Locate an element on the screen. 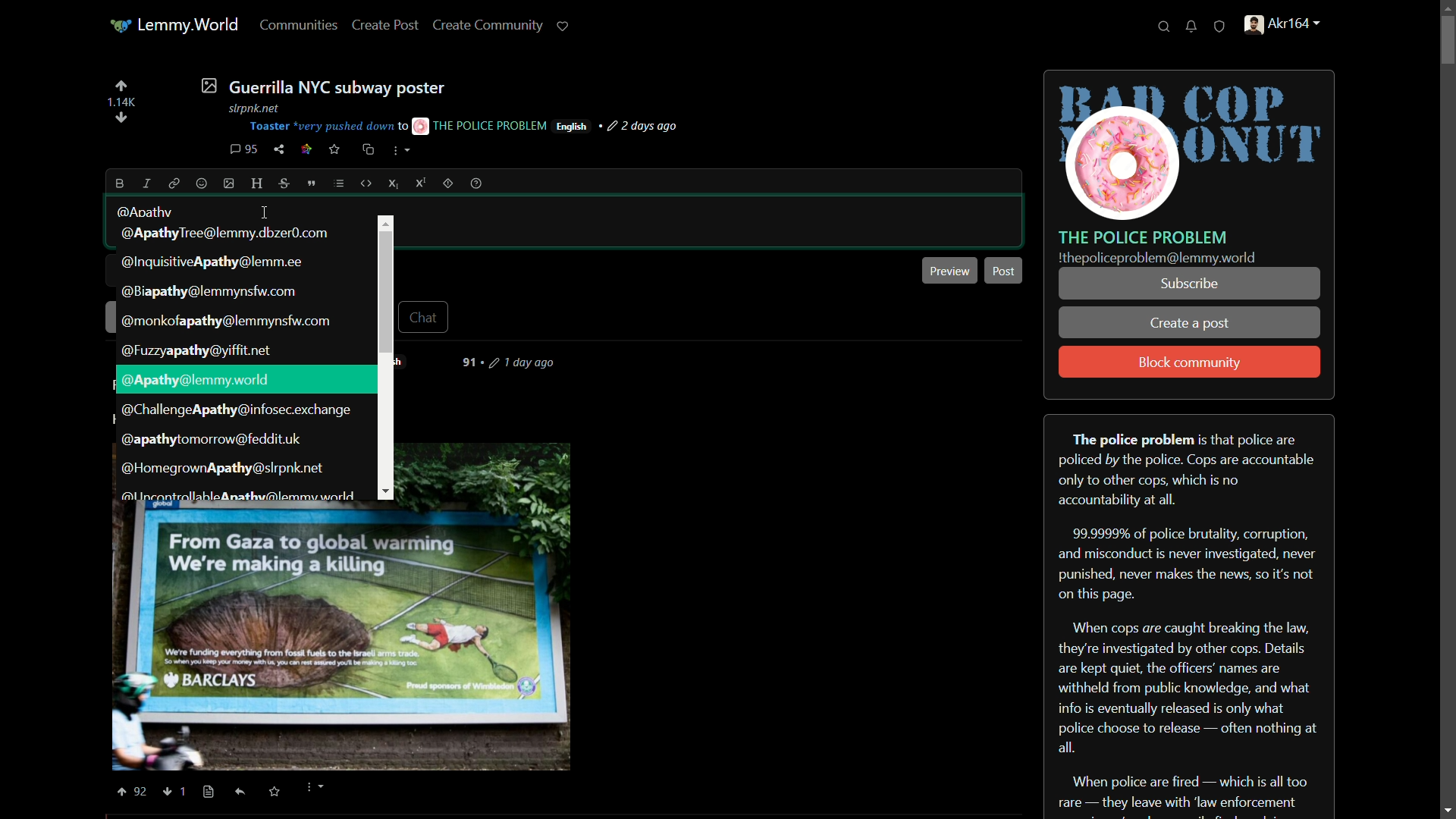 The height and width of the screenshot is (819, 1456). link is located at coordinates (171, 183).